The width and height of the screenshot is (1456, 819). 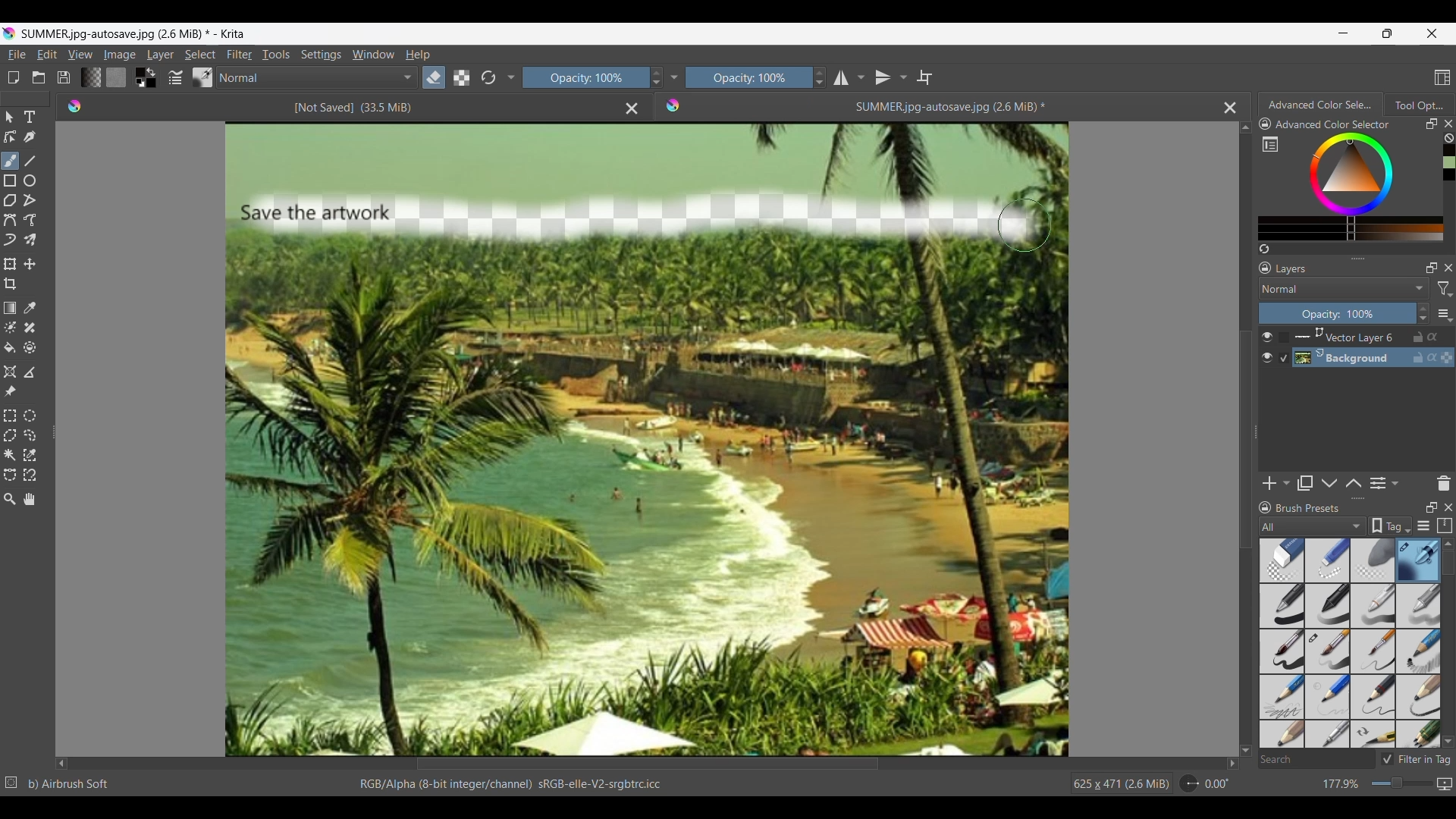 What do you see at coordinates (1265, 268) in the screenshot?
I see `Lock layers panel` at bounding box center [1265, 268].